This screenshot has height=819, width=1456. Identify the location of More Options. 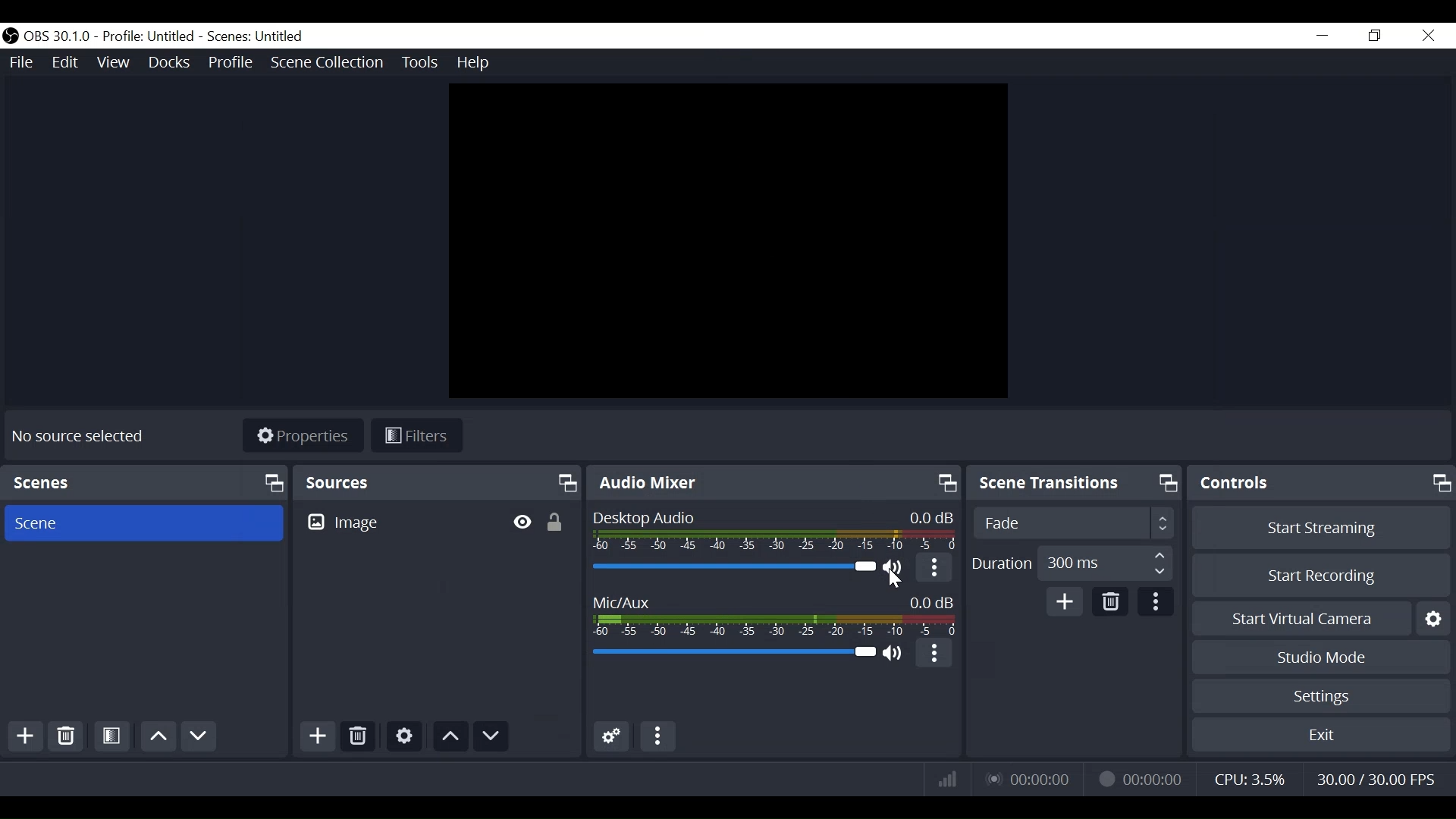
(936, 655).